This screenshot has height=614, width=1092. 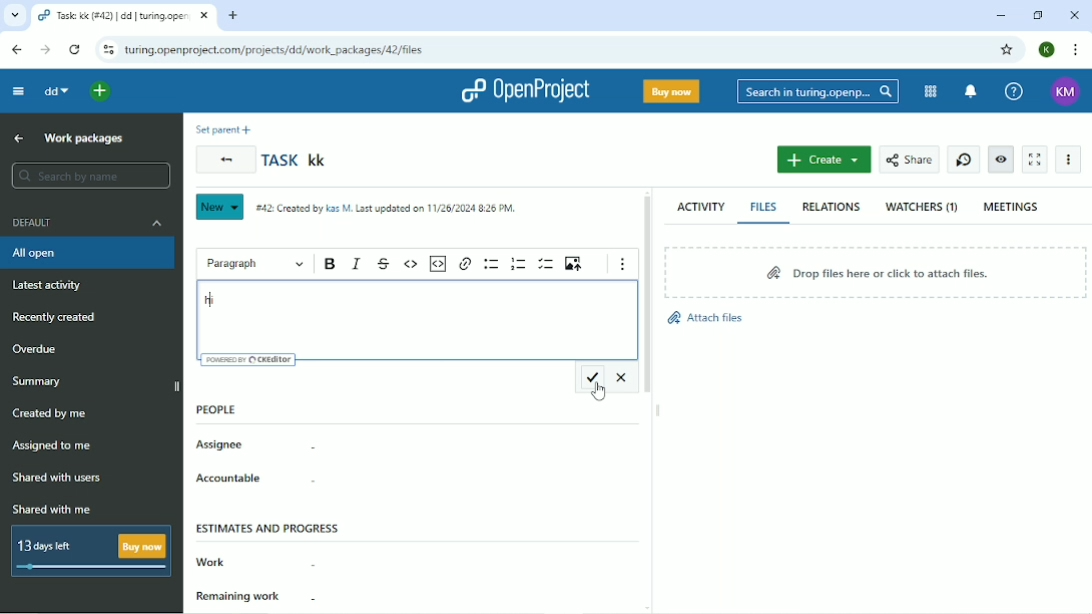 What do you see at coordinates (671, 90) in the screenshot?
I see `Buy now` at bounding box center [671, 90].